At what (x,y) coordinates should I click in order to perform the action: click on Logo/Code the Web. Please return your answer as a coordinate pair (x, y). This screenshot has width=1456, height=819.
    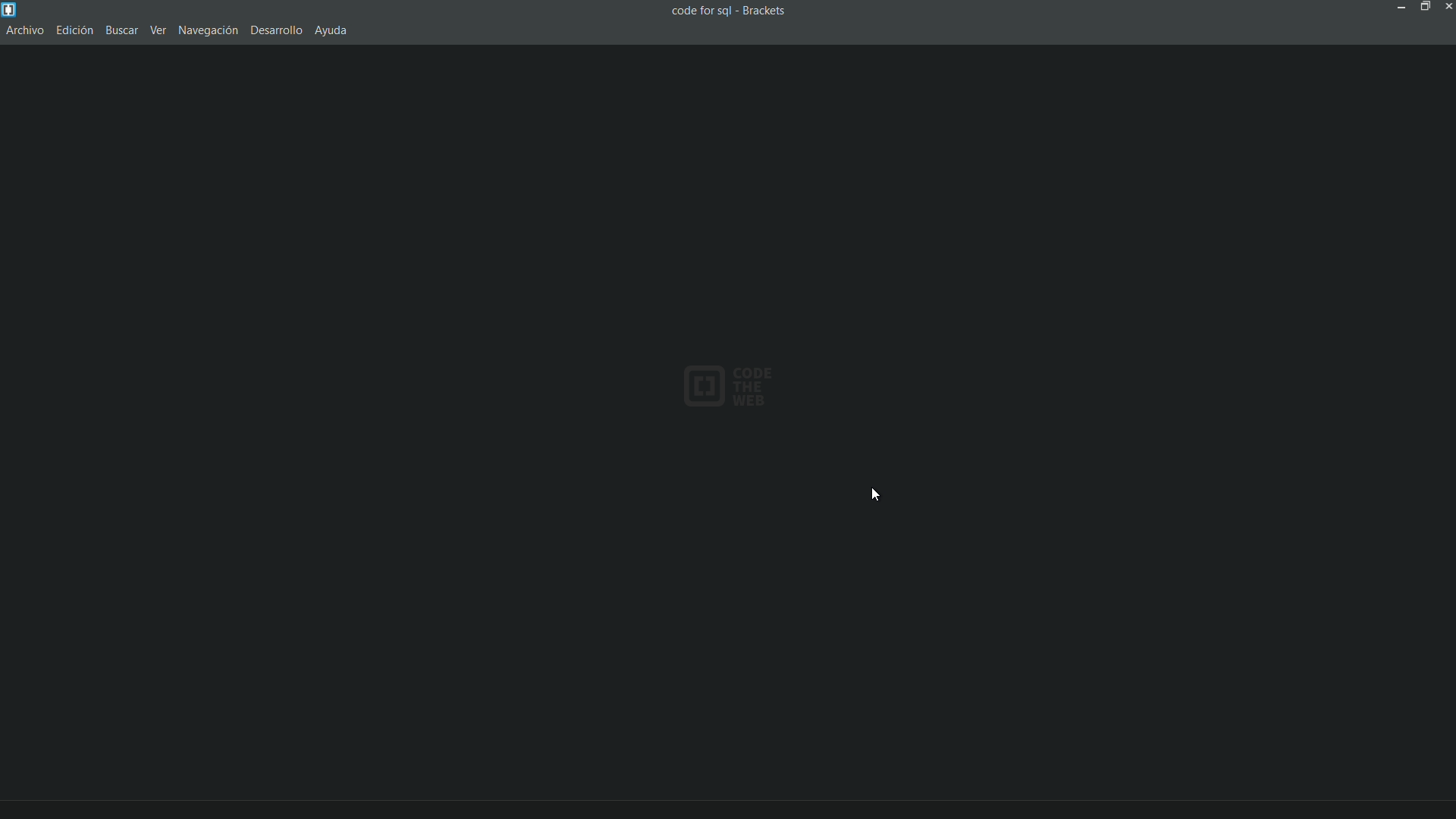
    Looking at the image, I should click on (734, 384).